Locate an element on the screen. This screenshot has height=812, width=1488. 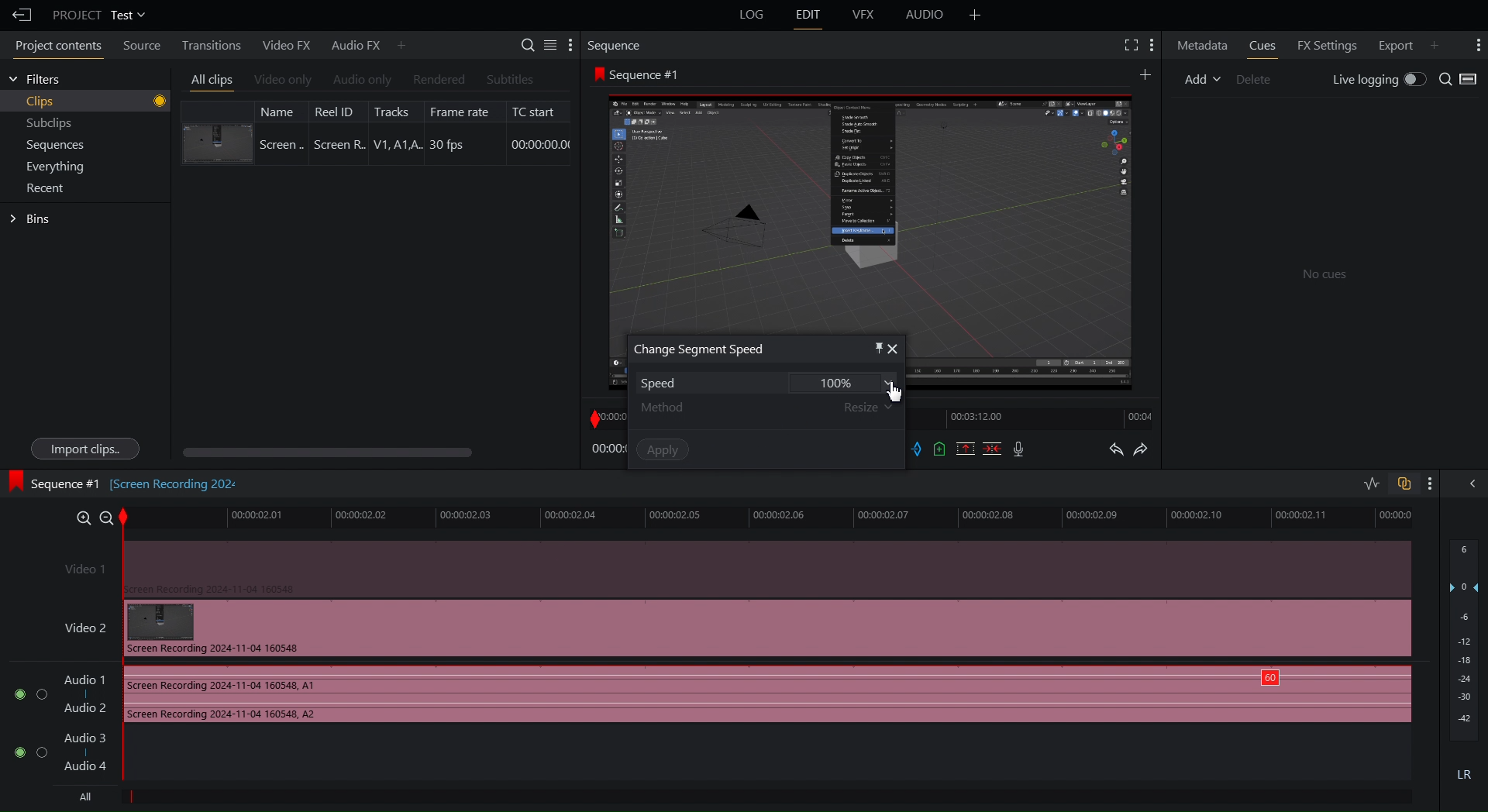
Preview  is located at coordinates (870, 207).